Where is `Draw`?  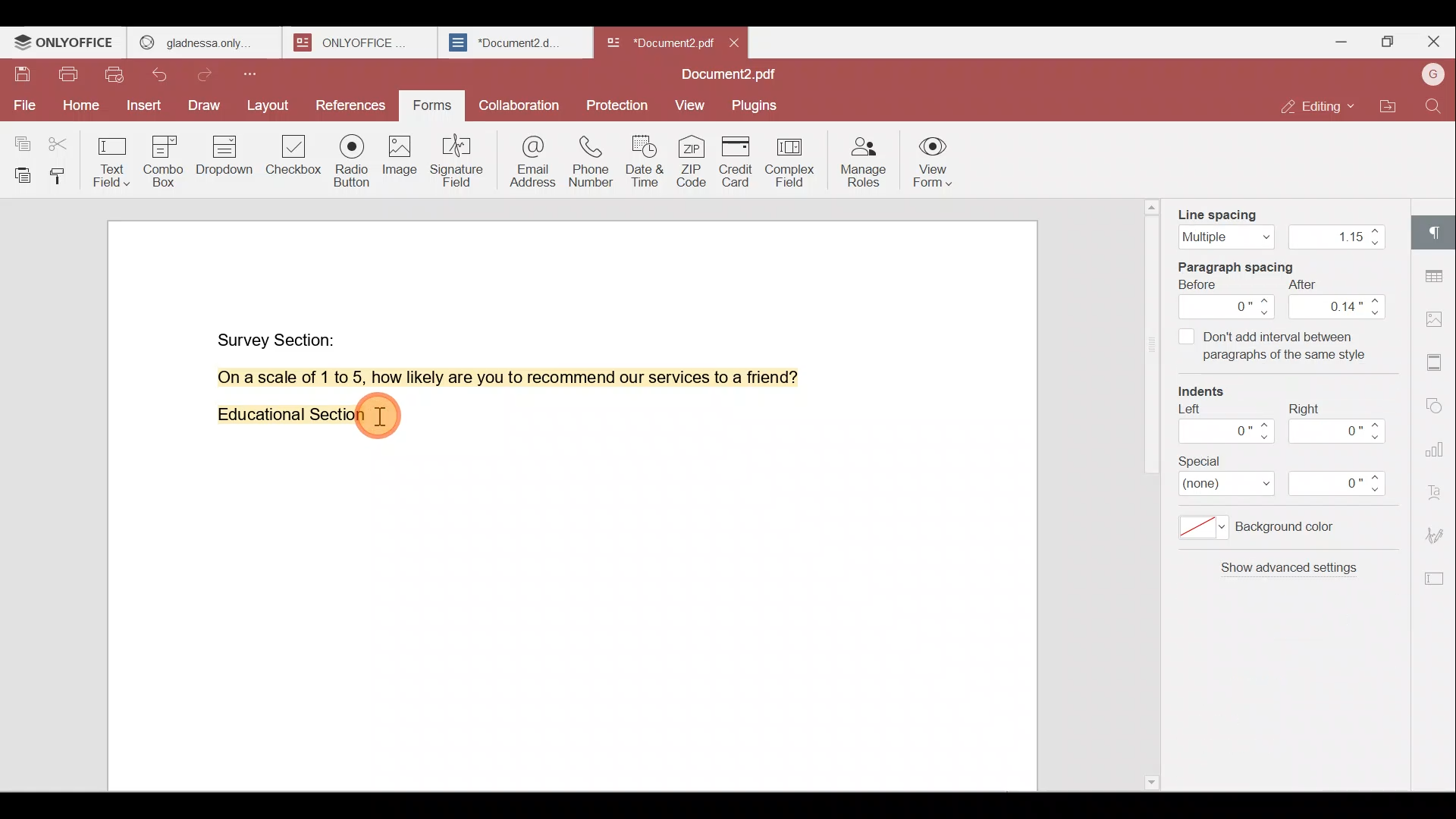 Draw is located at coordinates (206, 107).